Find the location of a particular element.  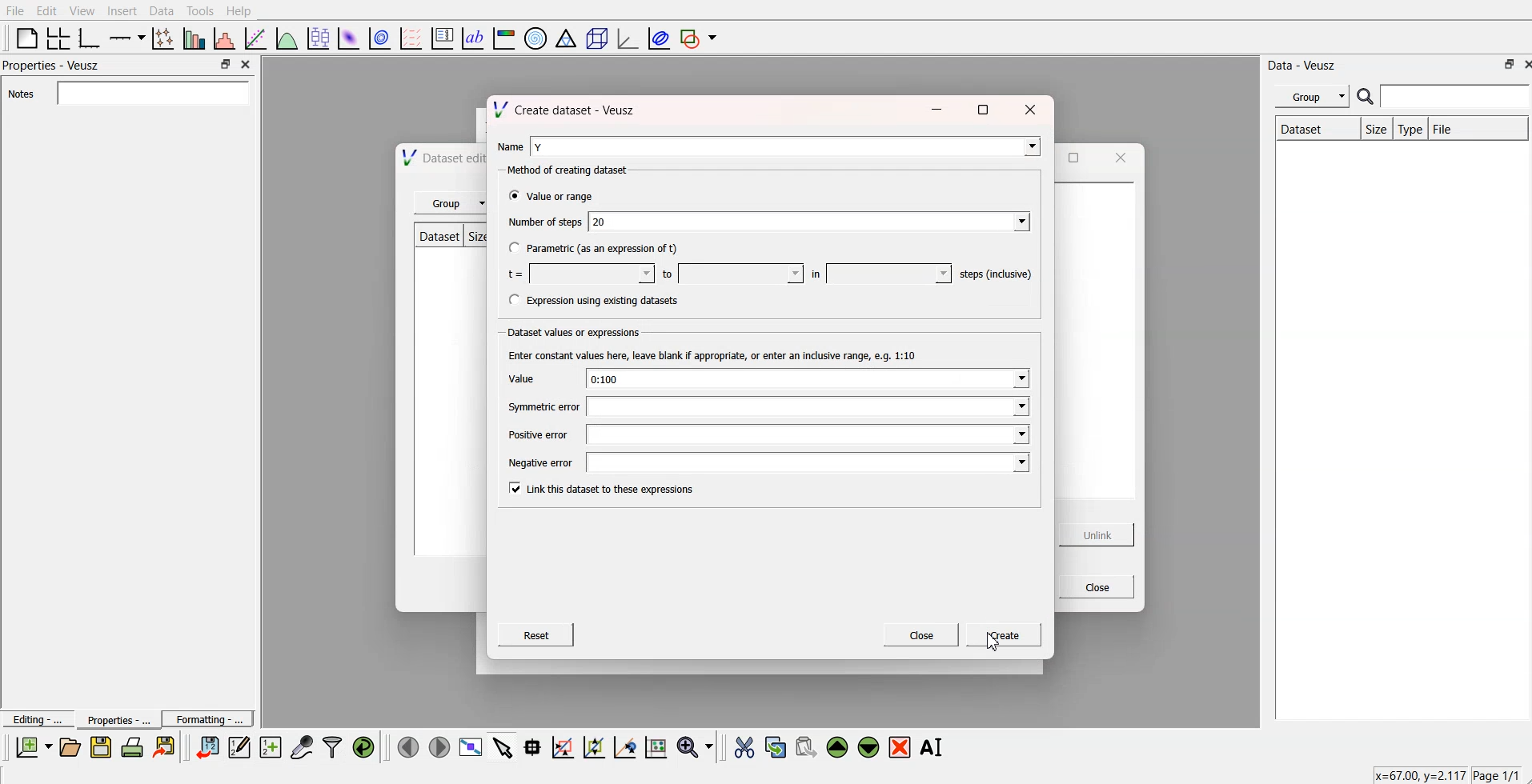

plot points with lines is located at coordinates (164, 38).